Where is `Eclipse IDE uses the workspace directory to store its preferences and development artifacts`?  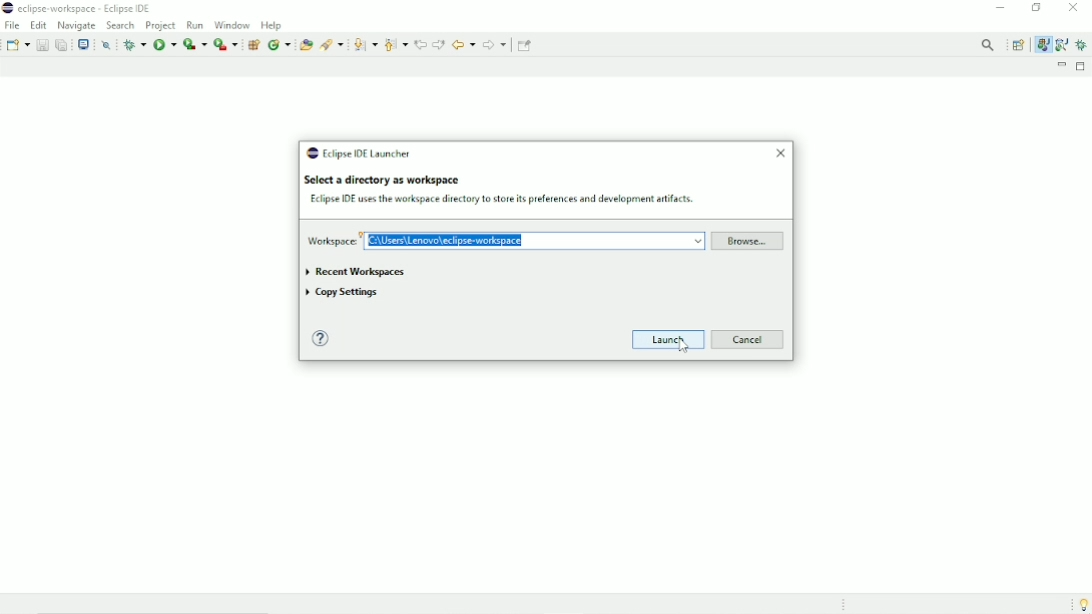
Eclipse IDE uses the workspace directory to store its preferences and development artifacts is located at coordinates (502, 199).